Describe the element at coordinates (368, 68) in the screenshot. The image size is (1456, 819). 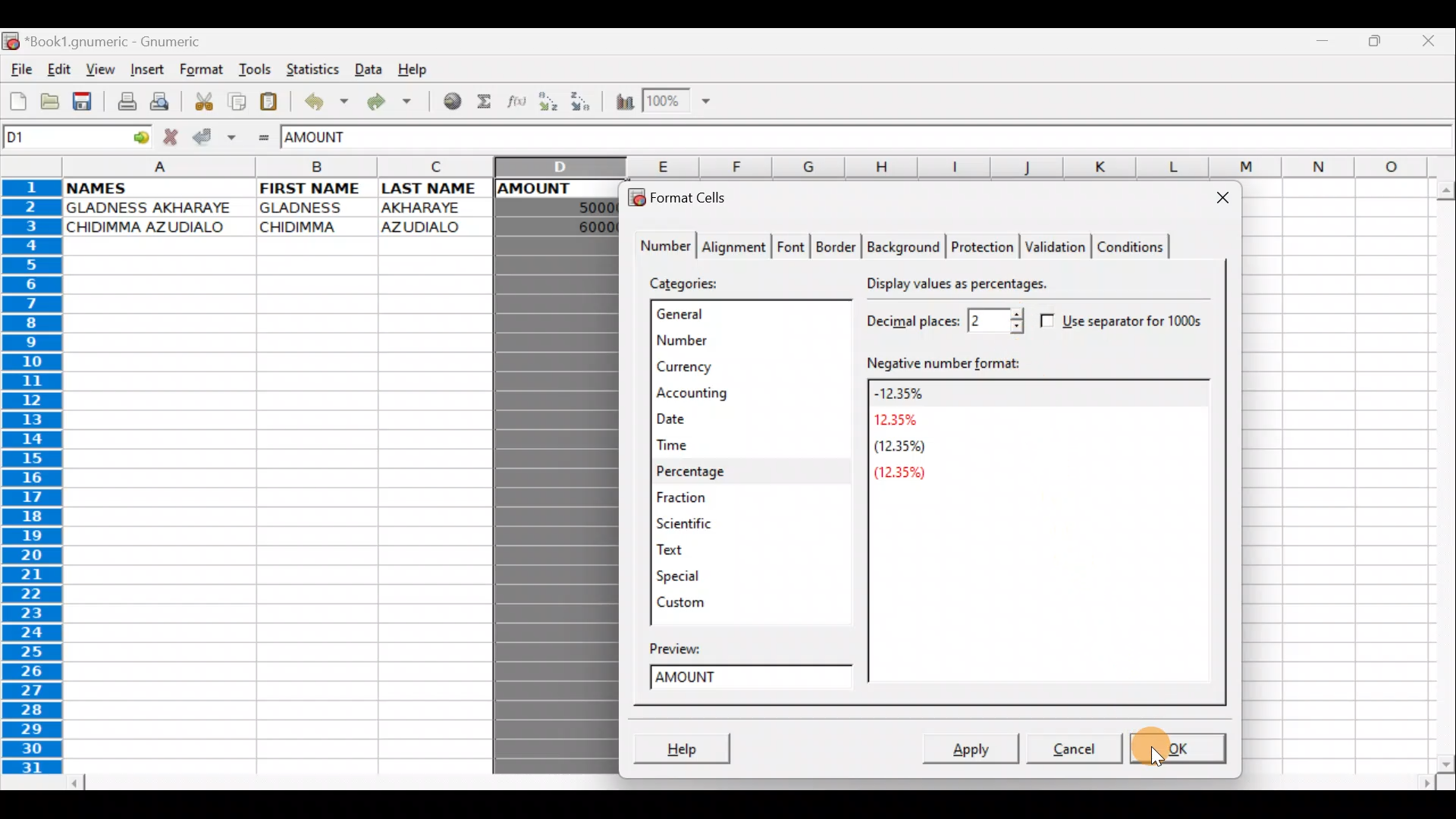
I see `Data` at that location.